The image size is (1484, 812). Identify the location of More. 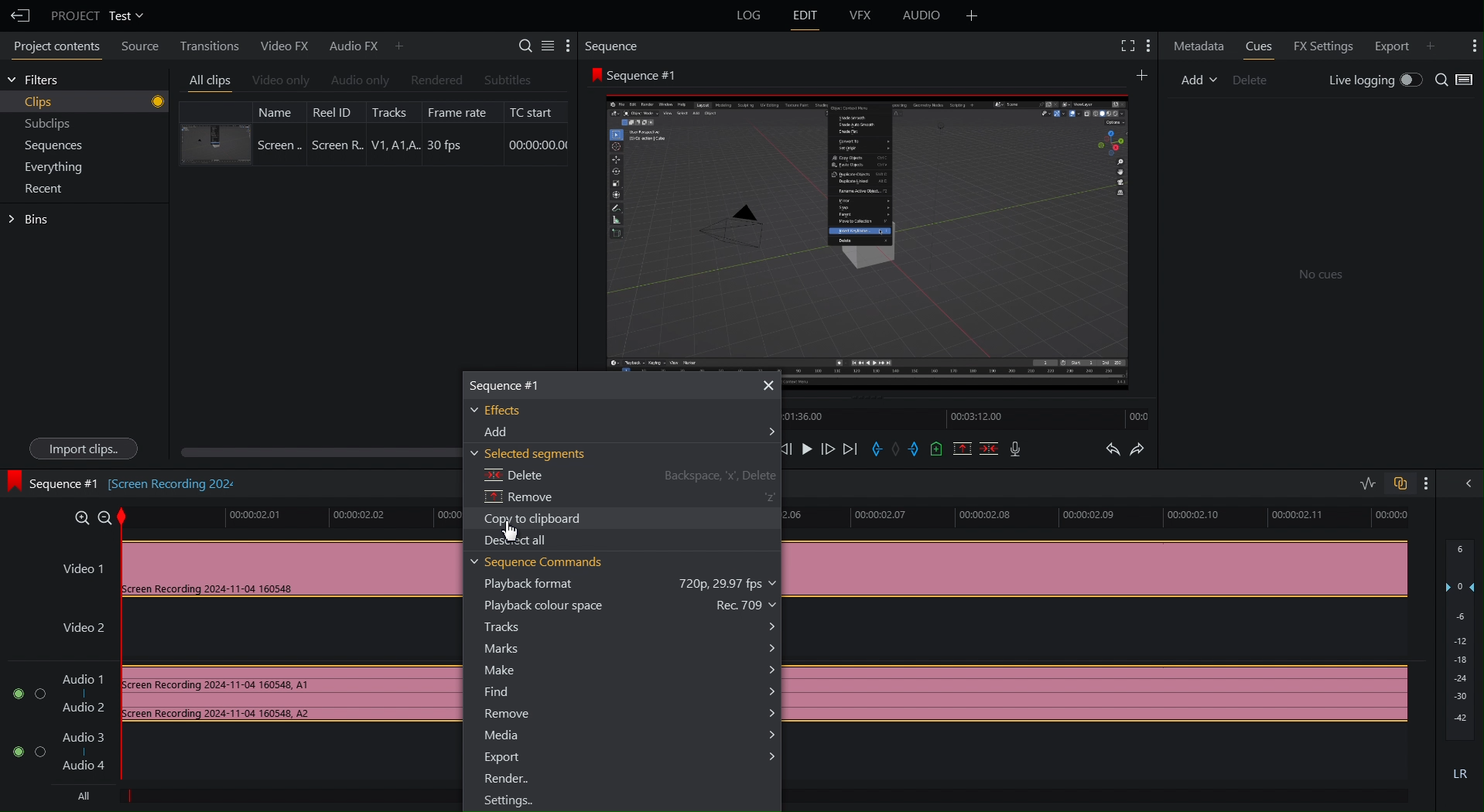
(1433, 483).